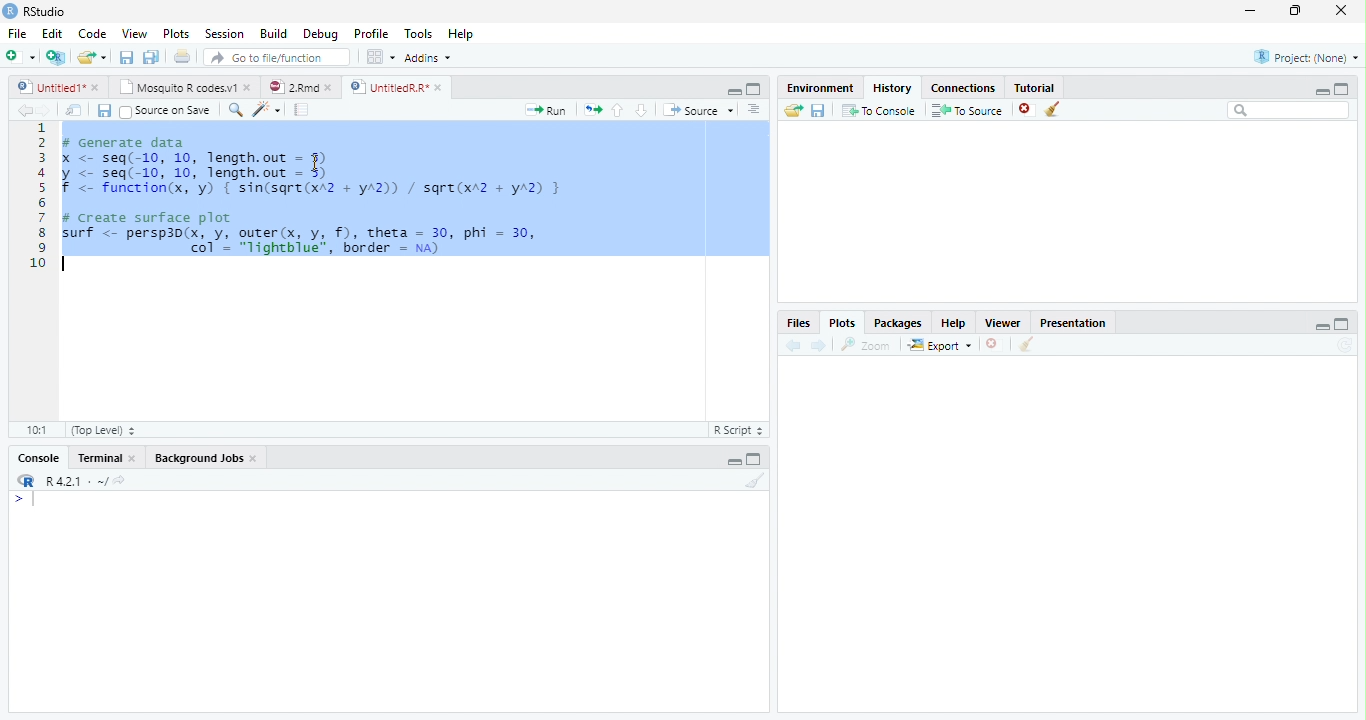  Describe the element at coordinates (329, 88) in the screenshot. I see `close` at that location.